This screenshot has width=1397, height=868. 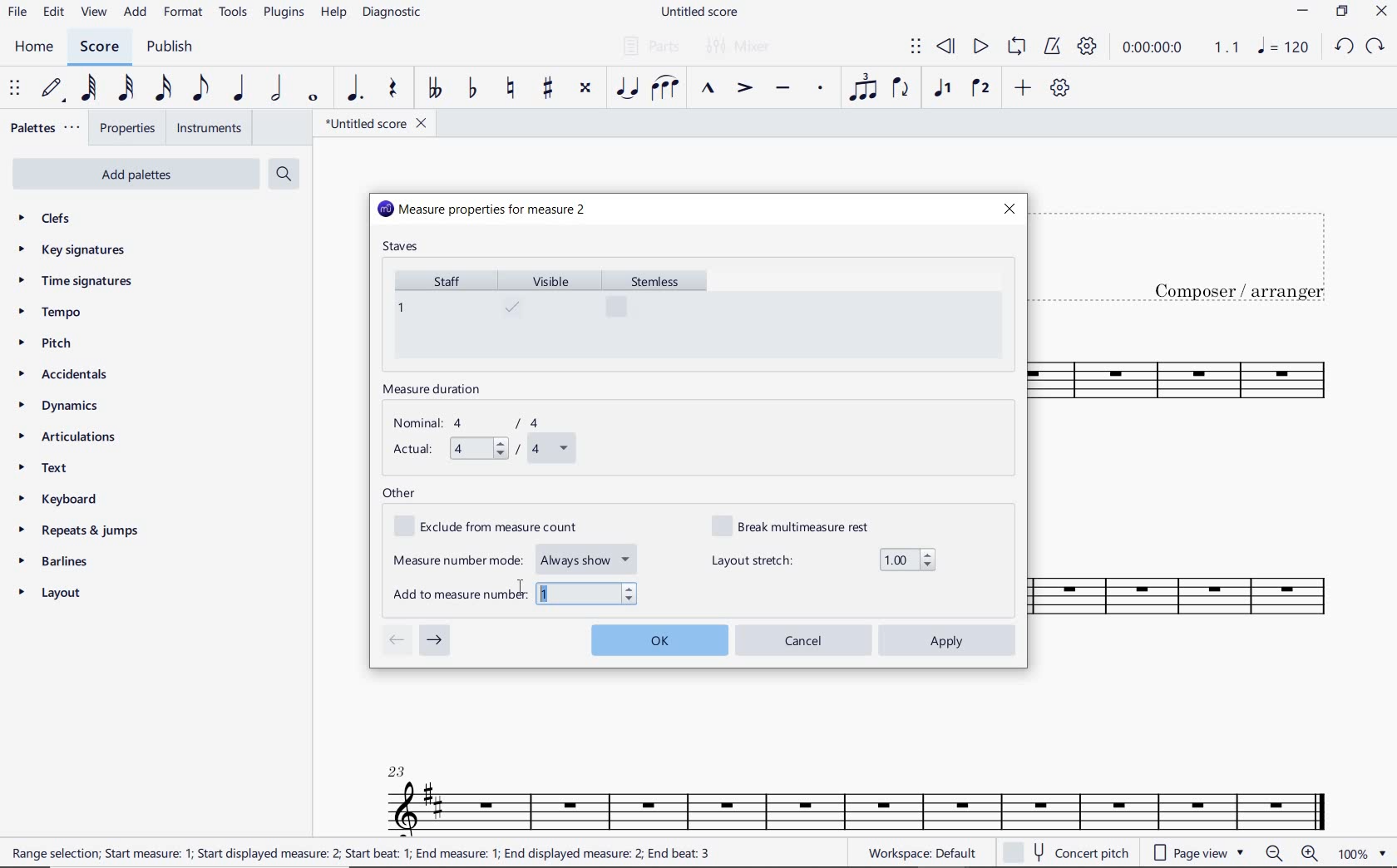 What do you see at coordinates (311, 97) in the screenshot?
I see `WHOLE NOTE` at bounding box center [311, 97].